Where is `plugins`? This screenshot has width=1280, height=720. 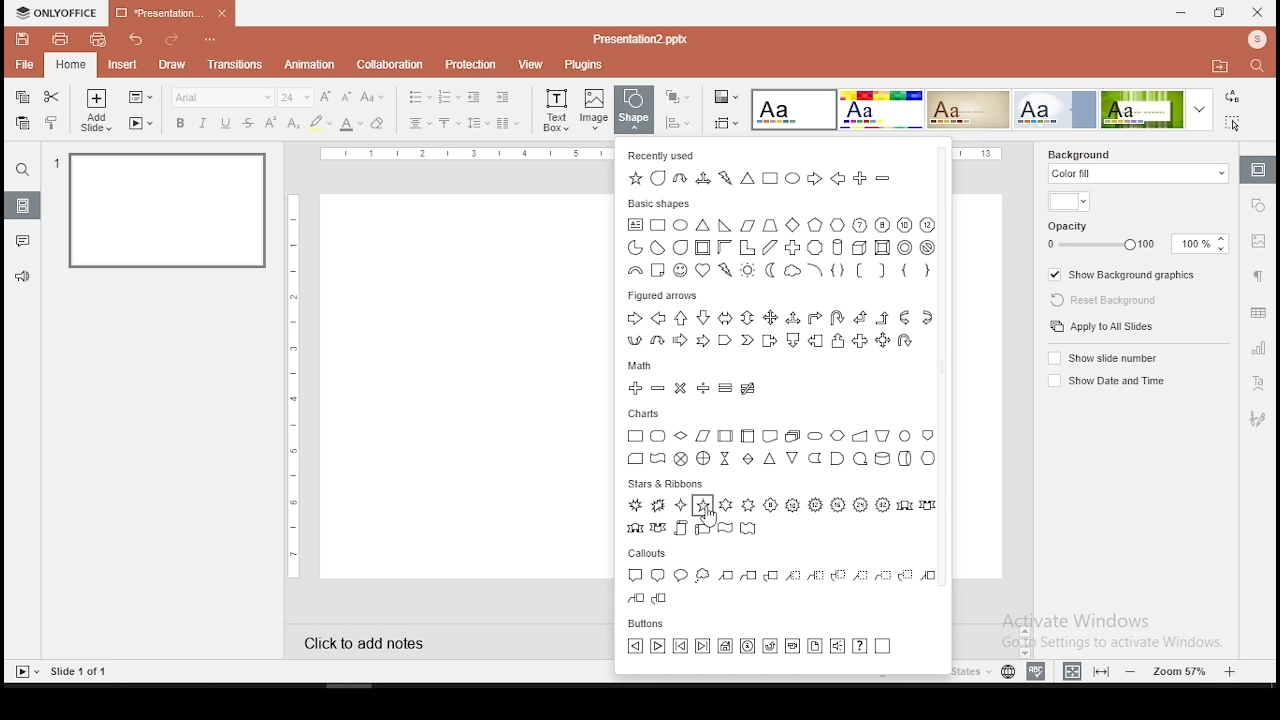 plugins is located at coordinates (584, 66).